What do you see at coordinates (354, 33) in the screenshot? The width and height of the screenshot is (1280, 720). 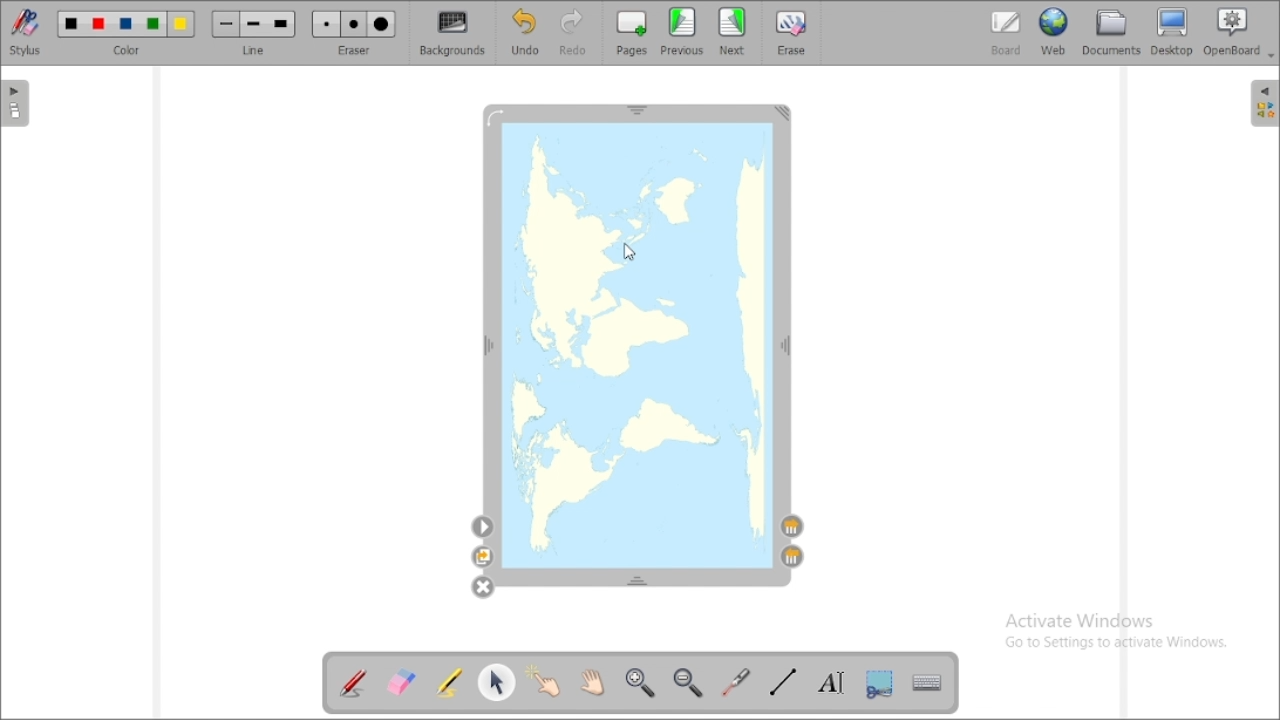 I see `eraser` at bounding box center [354, 33].